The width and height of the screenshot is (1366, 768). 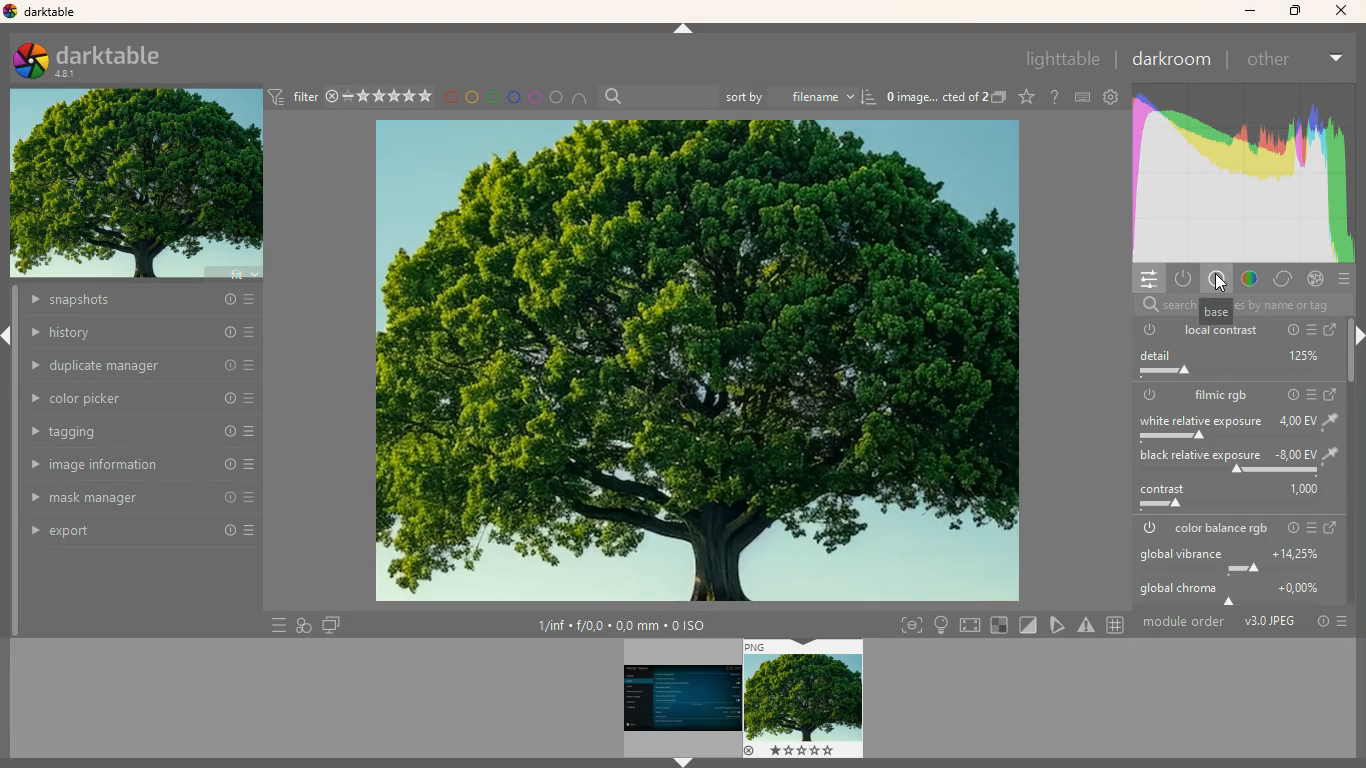 What do you see at coordinates (1334, 529) in the screenshot?
I see `change` at bounding box center [1334, 529].